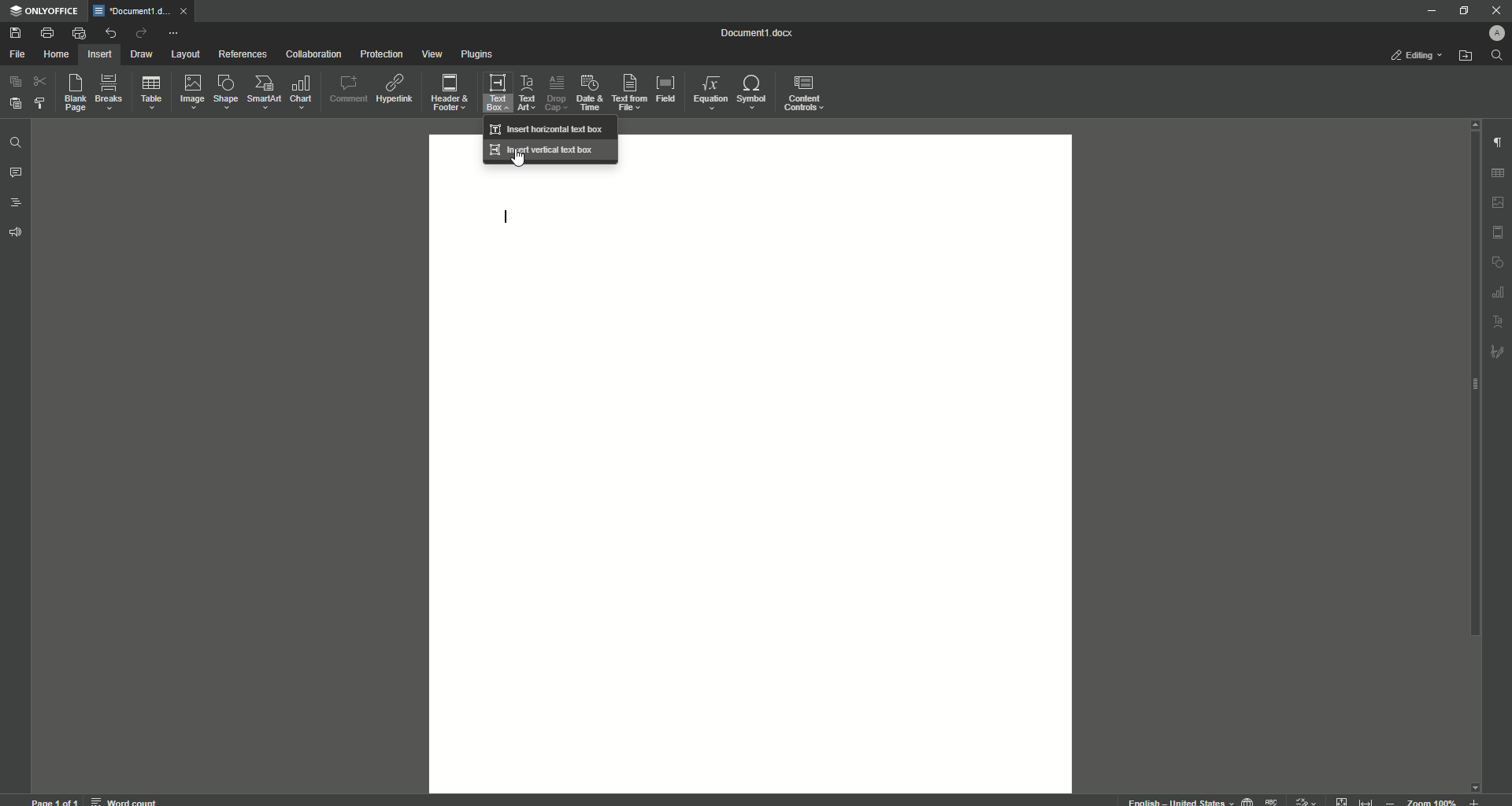  I want to click on SmartArt, so click(264, 92).